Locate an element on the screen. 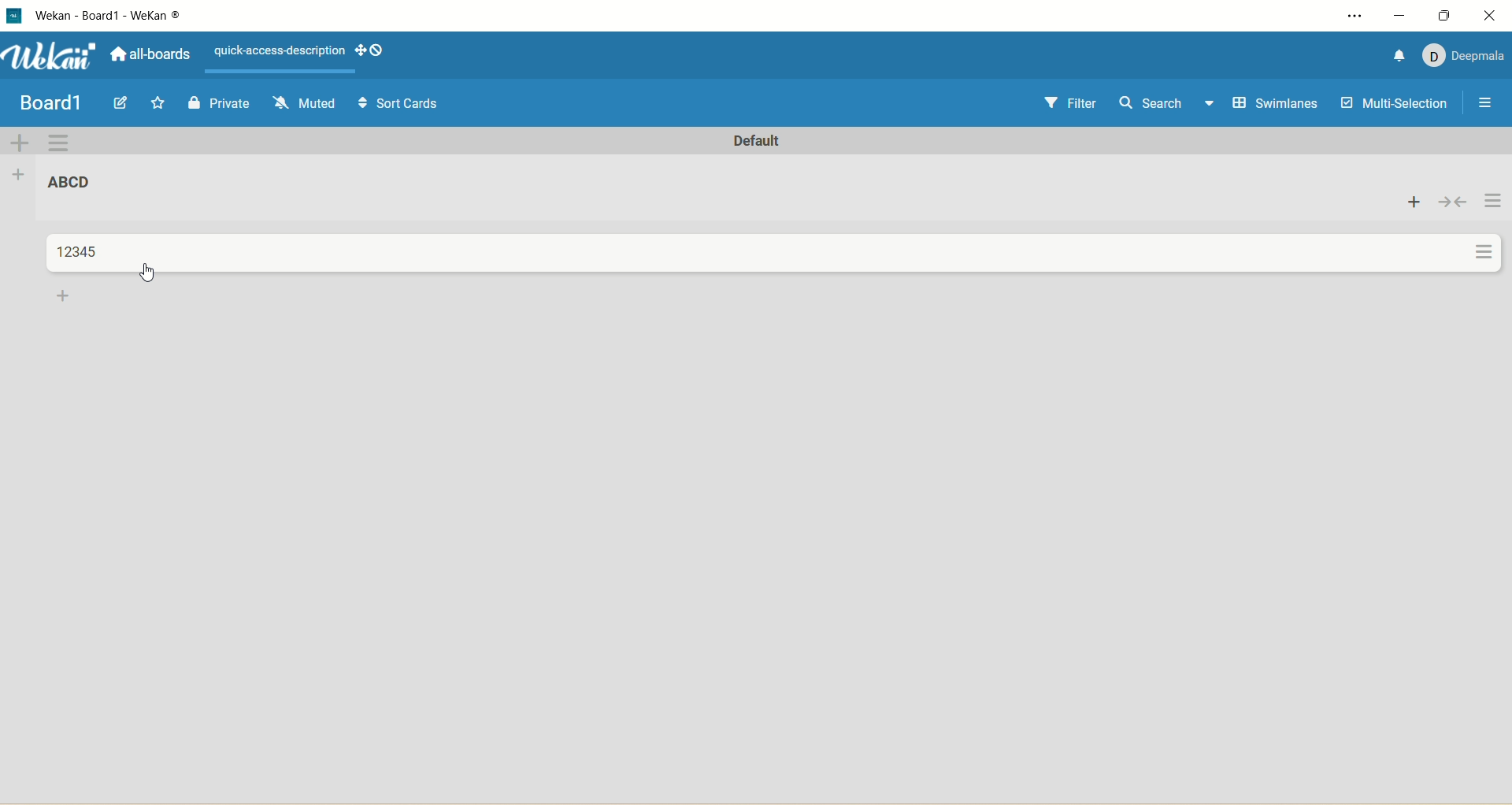 The width and height of the screenshot is (1512, 805). title is located at coordinates (136, 16).